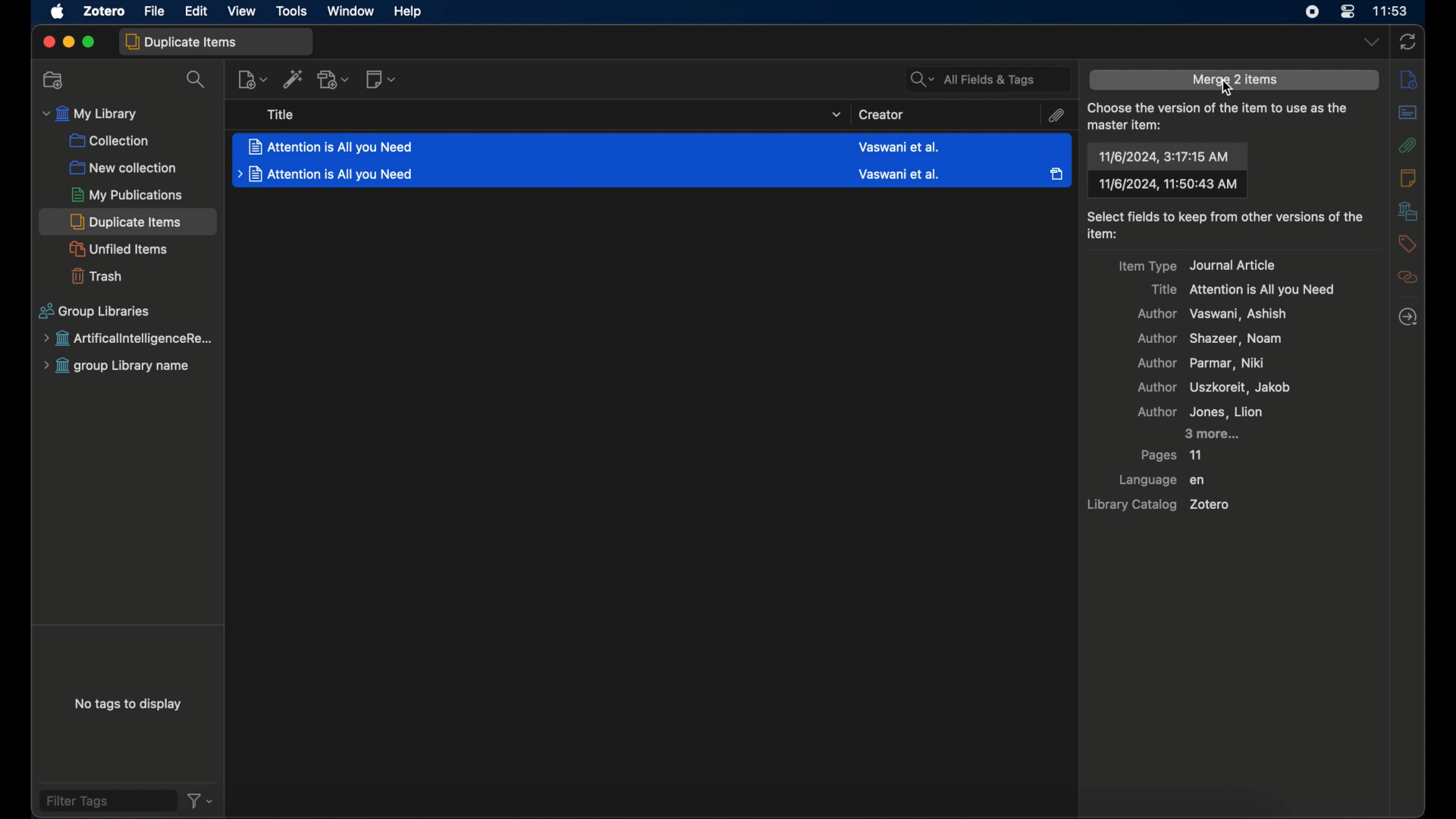 The image size is (1456, 819). What do you see at coordinates (96, 311) in the screenshot?
I see `group libraries` at bounding box center [96, 311].